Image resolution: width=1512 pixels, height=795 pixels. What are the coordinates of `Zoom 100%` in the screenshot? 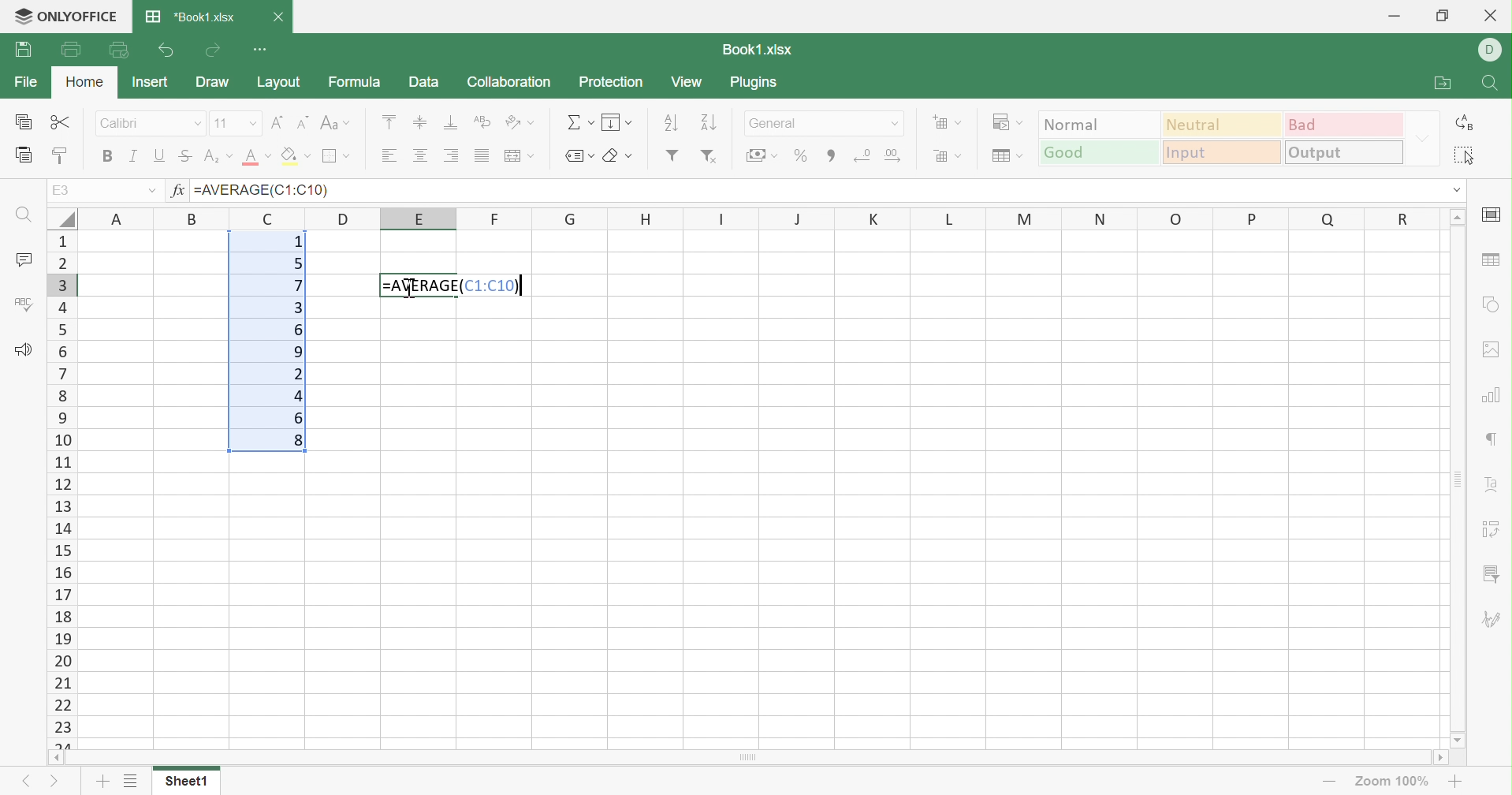 It's located at (1395, 780).